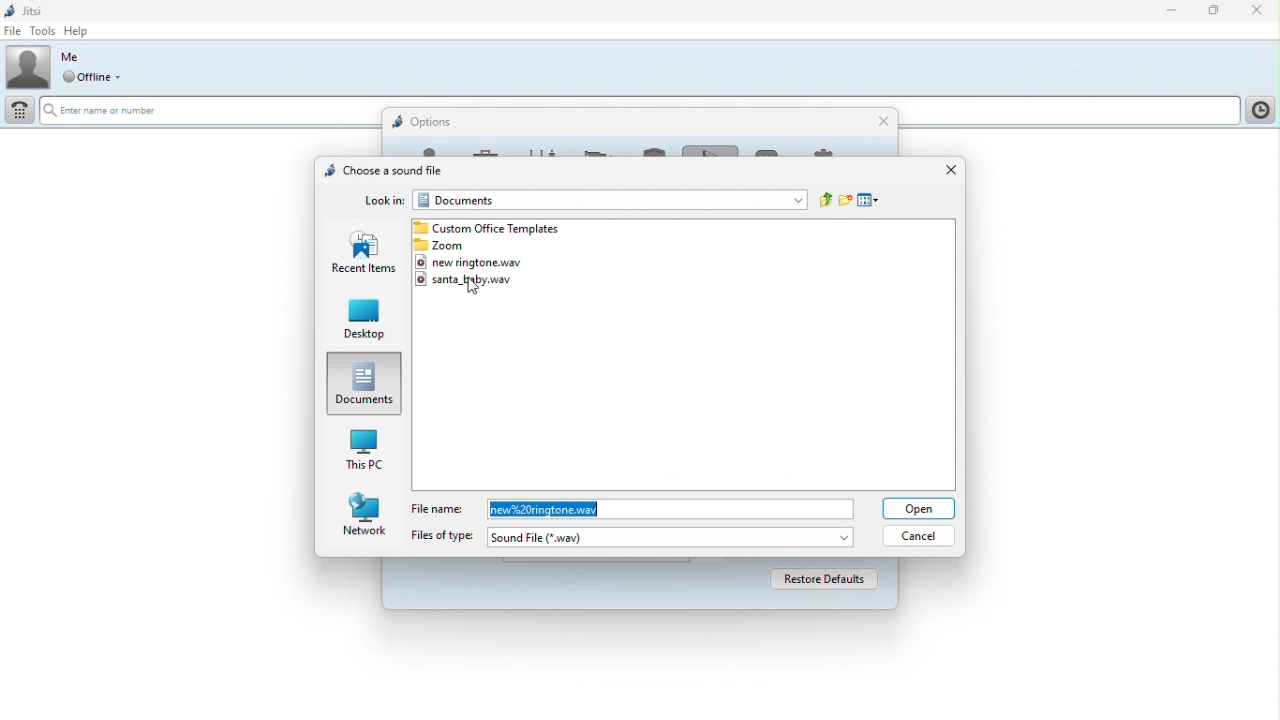 This screenshot has width=1280, height=720. I want to click on Network, so click(366, 513).